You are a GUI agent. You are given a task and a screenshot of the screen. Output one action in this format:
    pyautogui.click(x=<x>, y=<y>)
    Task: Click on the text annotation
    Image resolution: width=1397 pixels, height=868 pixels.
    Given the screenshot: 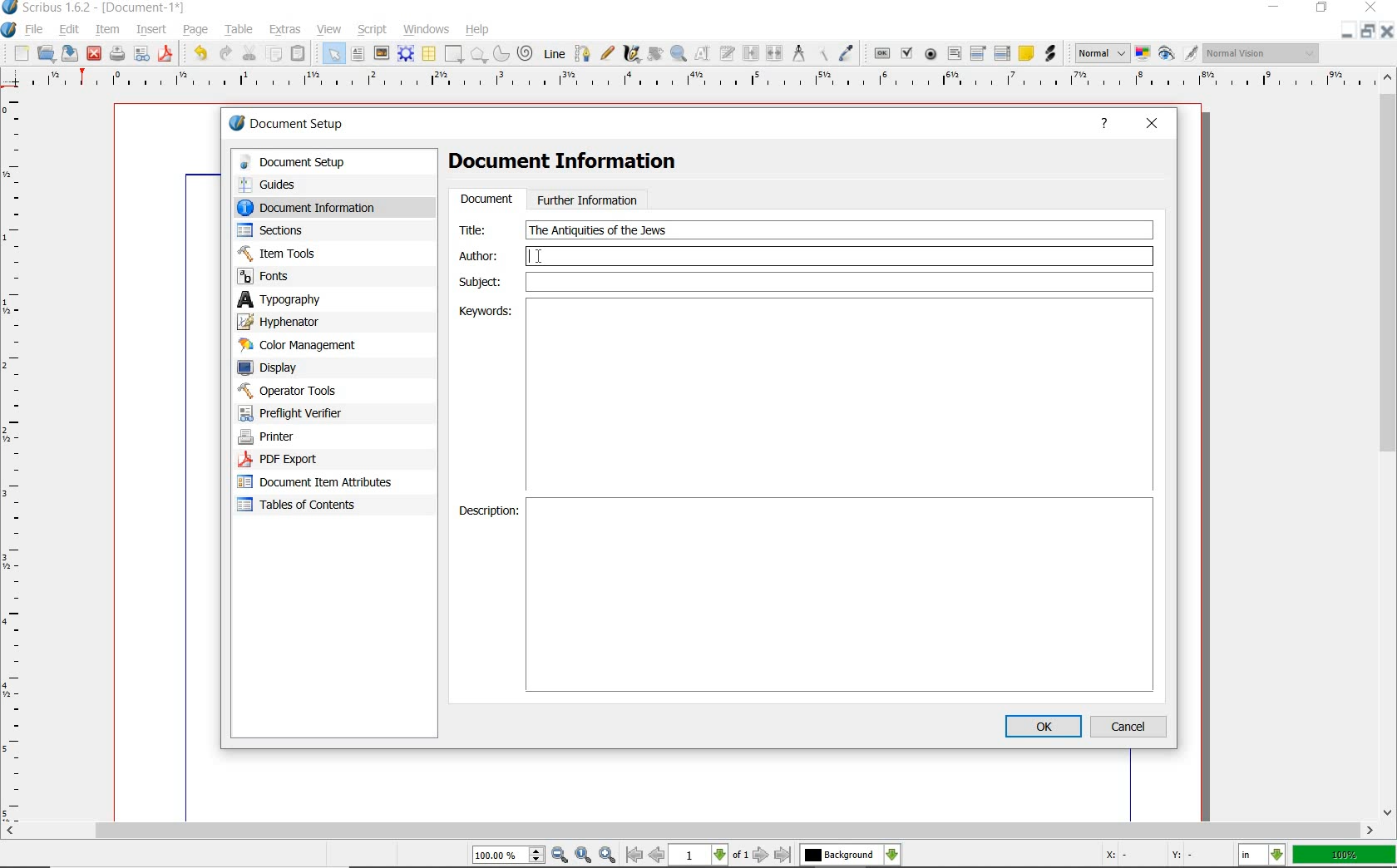 What is the action you would take?
    pyautogui.click(x=1025, y=55)
    